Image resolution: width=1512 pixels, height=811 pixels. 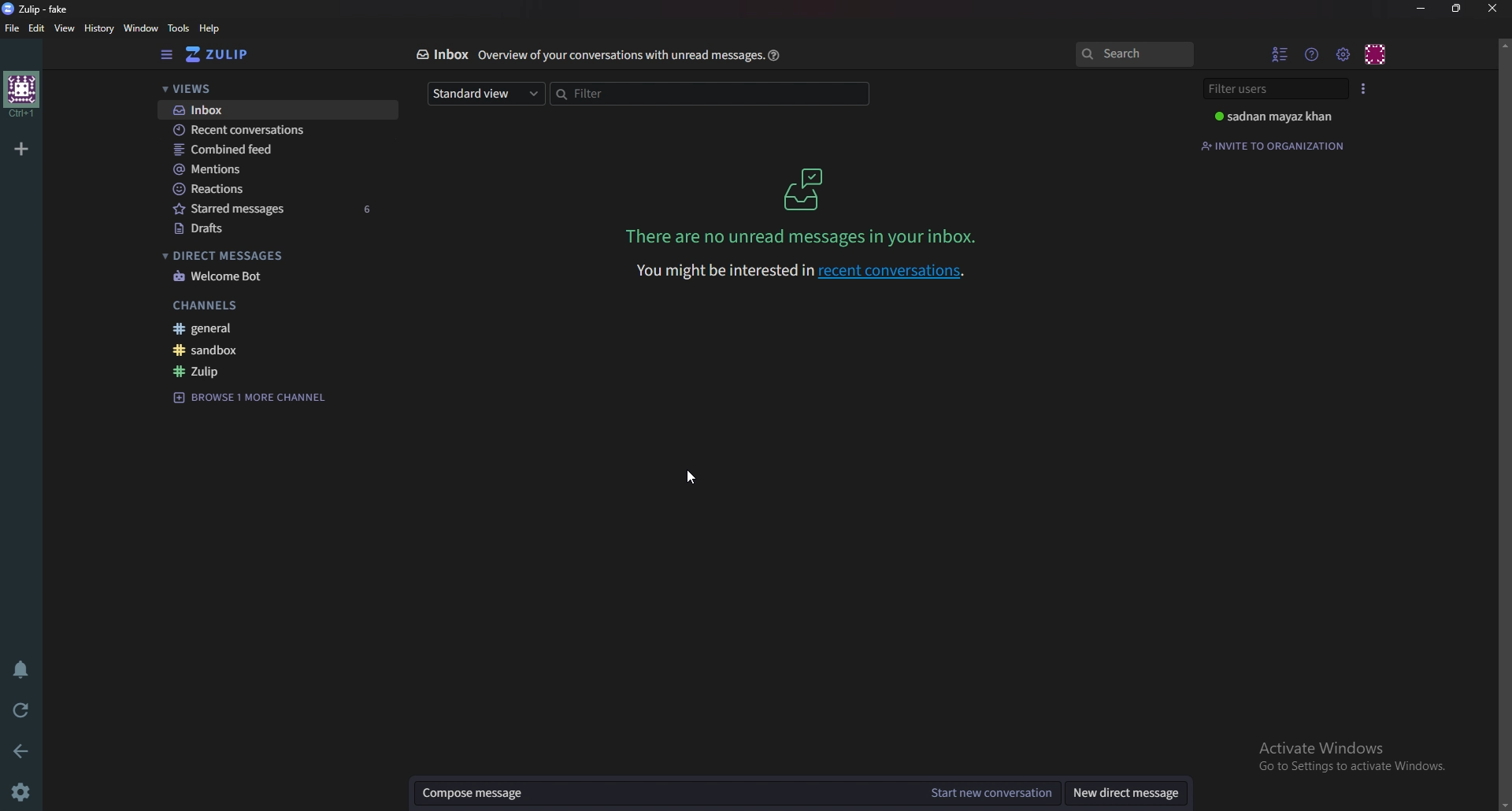 What do you see at coordinates (168, 54) in the screenshot?
I see `Hide sidebar` at bounding box center [168, 54].